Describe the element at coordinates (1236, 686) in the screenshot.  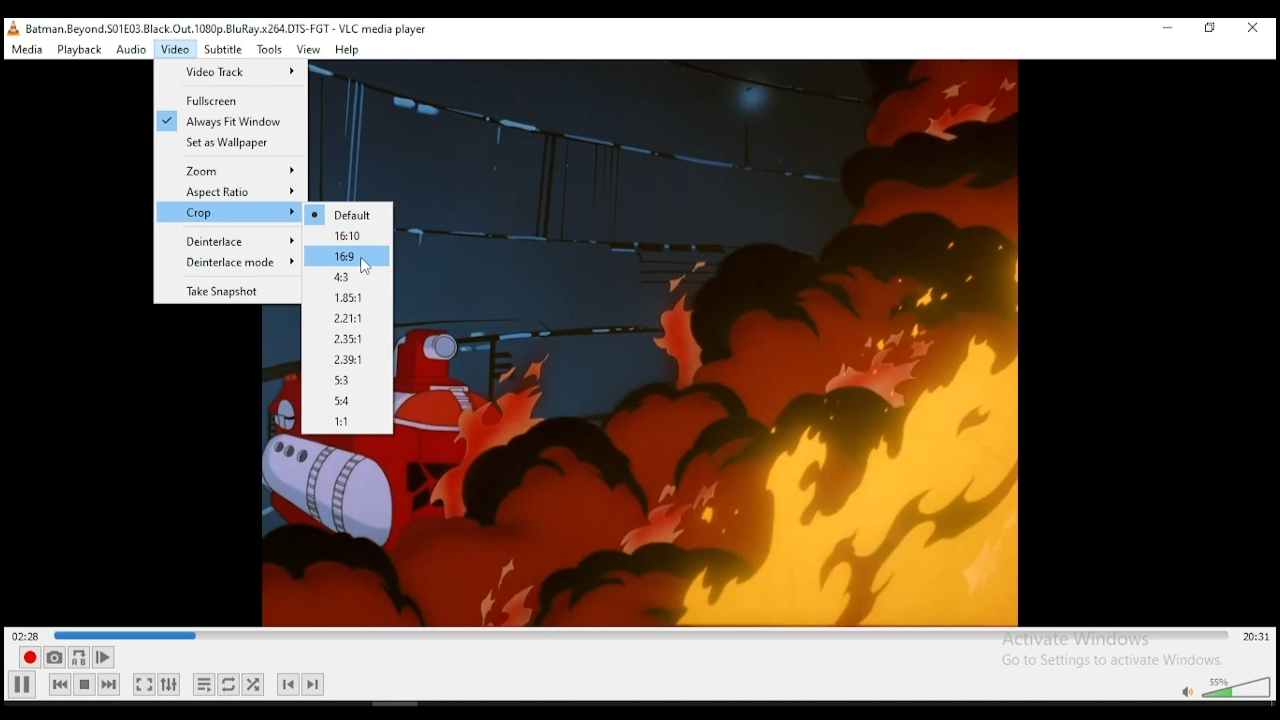
I see `volume` at that location.